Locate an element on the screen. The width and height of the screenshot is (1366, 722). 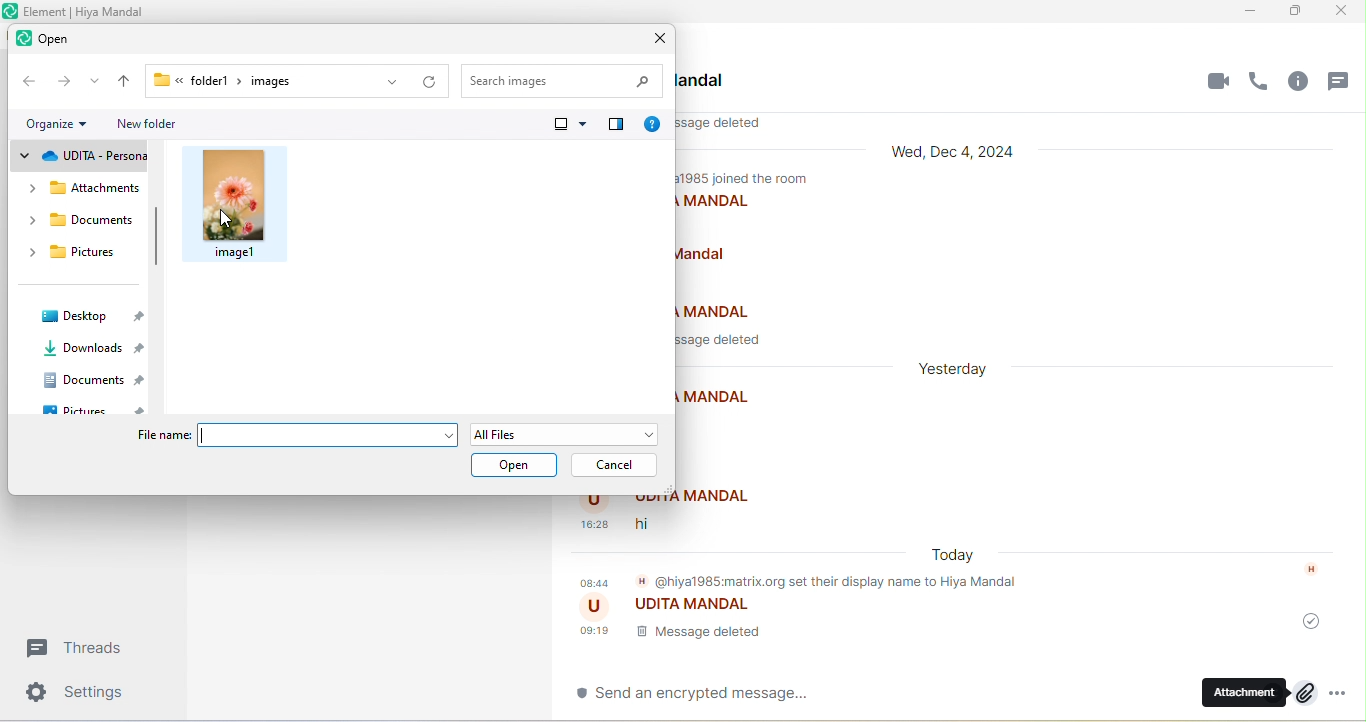
forward is located at coordinates (66, 81).